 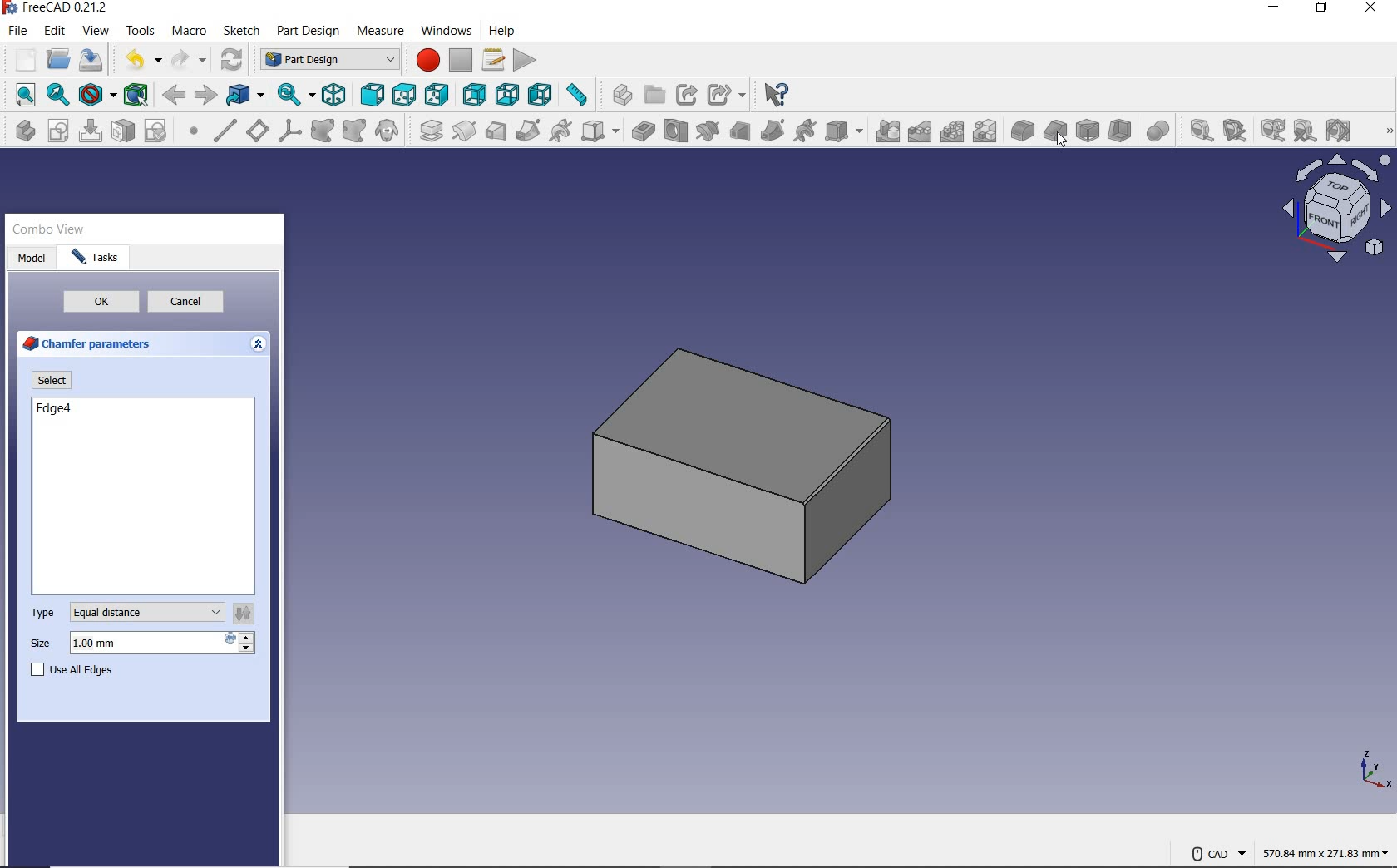 I want to click on create an additive primitive, so click(x=599, y=131).